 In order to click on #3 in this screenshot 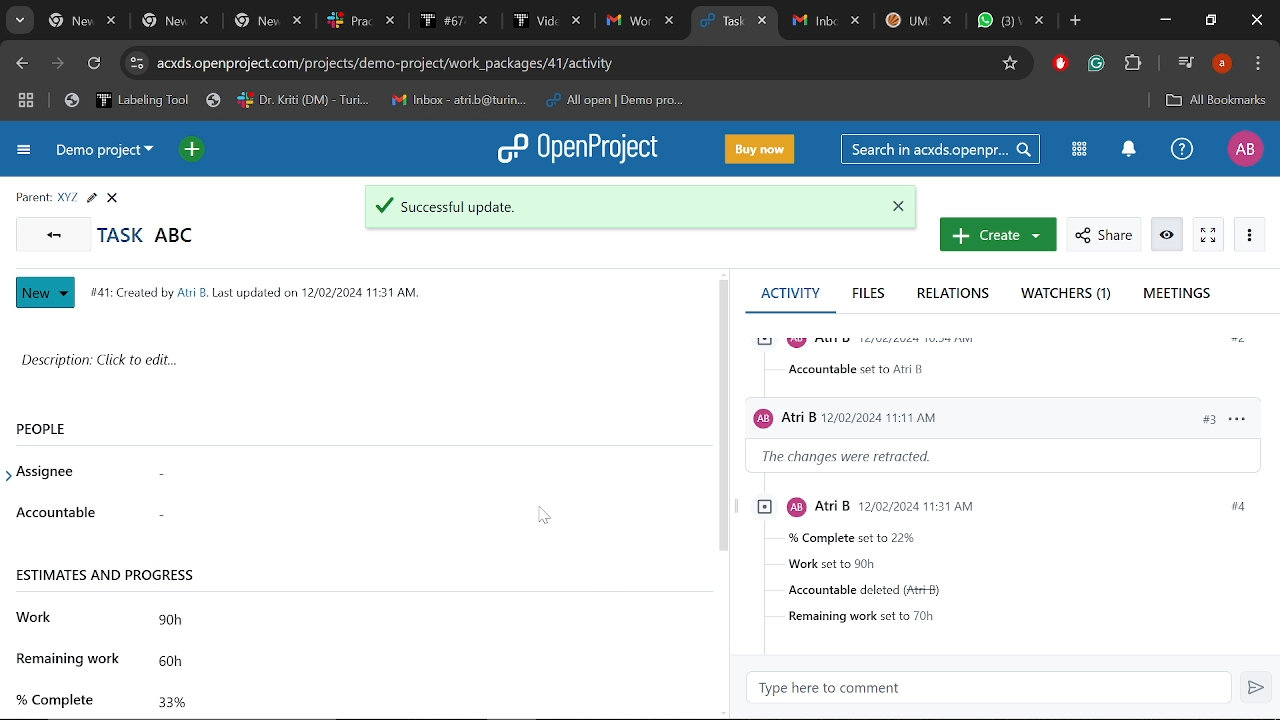, I will do `click(1198, 418)`.